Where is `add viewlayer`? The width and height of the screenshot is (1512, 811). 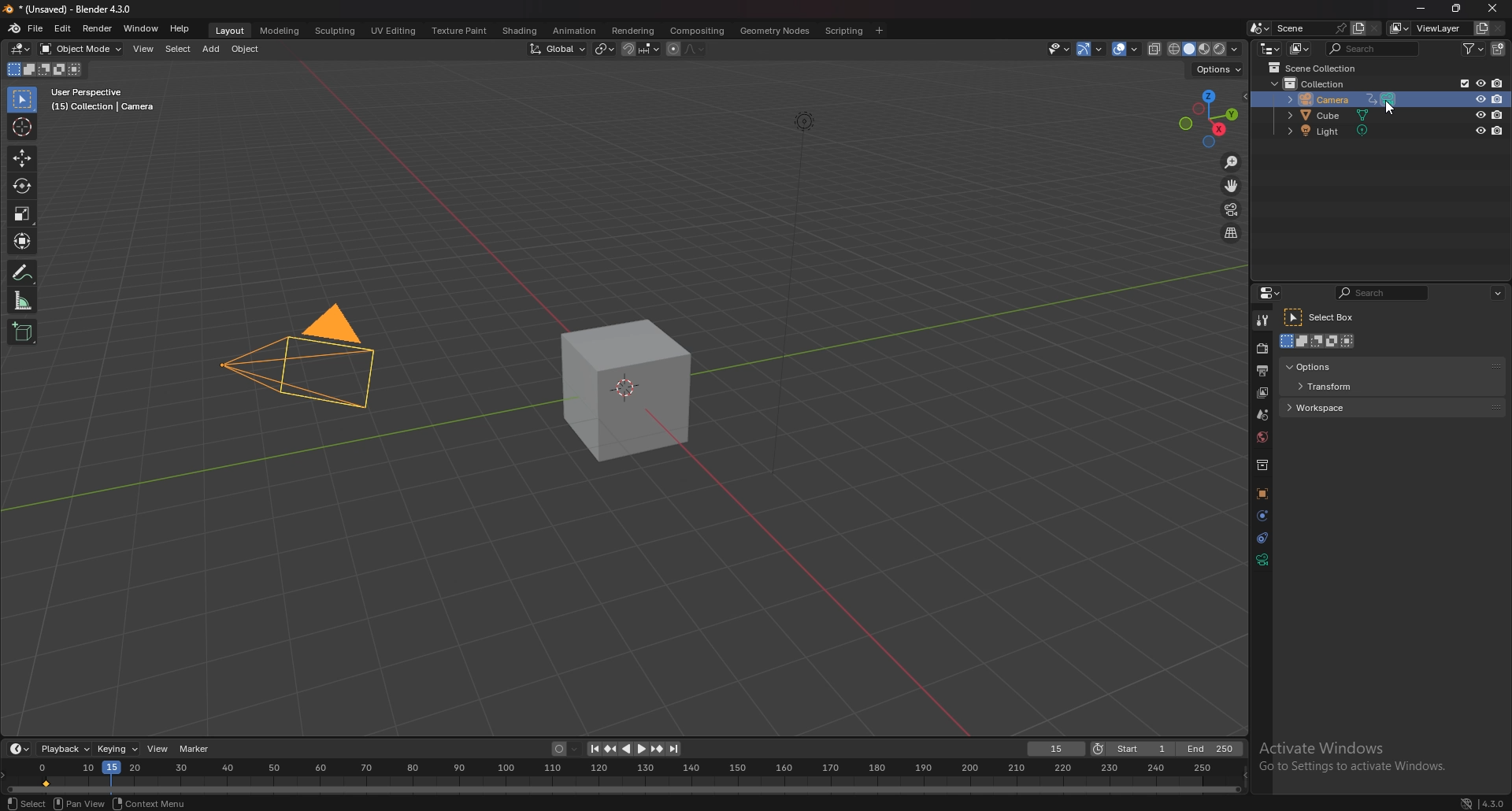 add viewlayer is located at coordinates (1481, 27).